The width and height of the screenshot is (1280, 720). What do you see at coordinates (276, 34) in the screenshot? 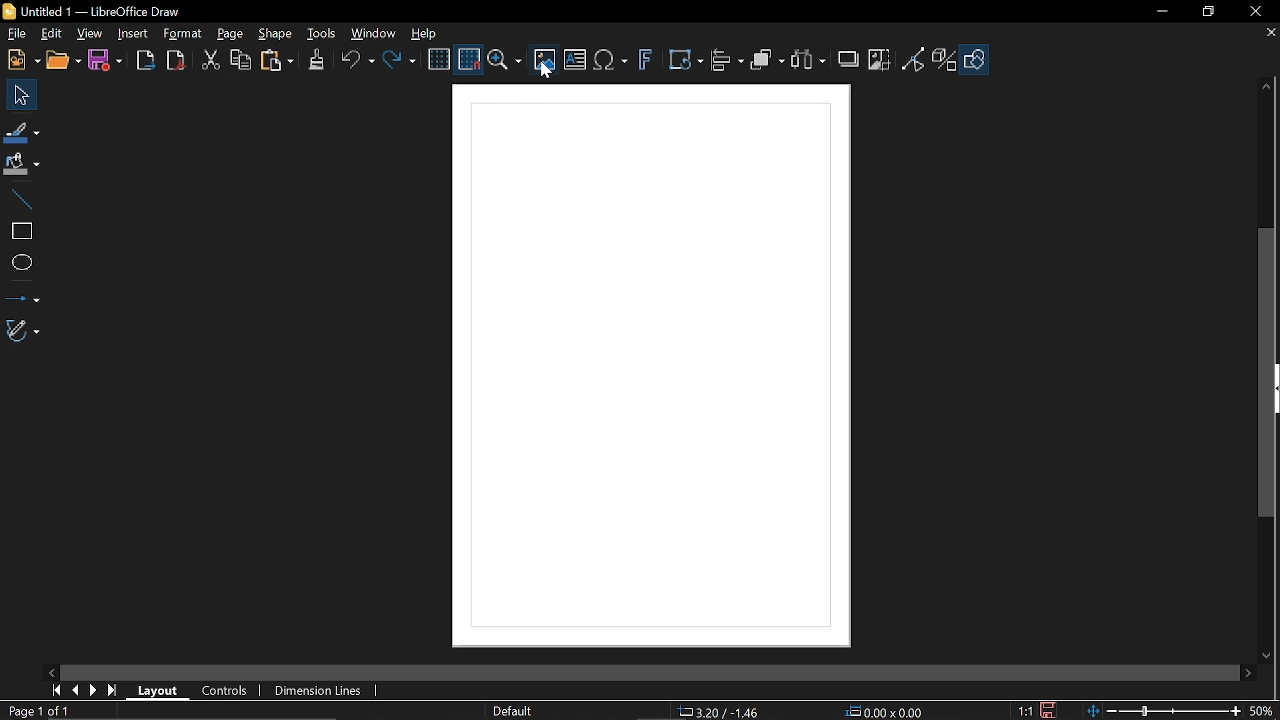
I see `Shape ` at bounding box center [276, 34].